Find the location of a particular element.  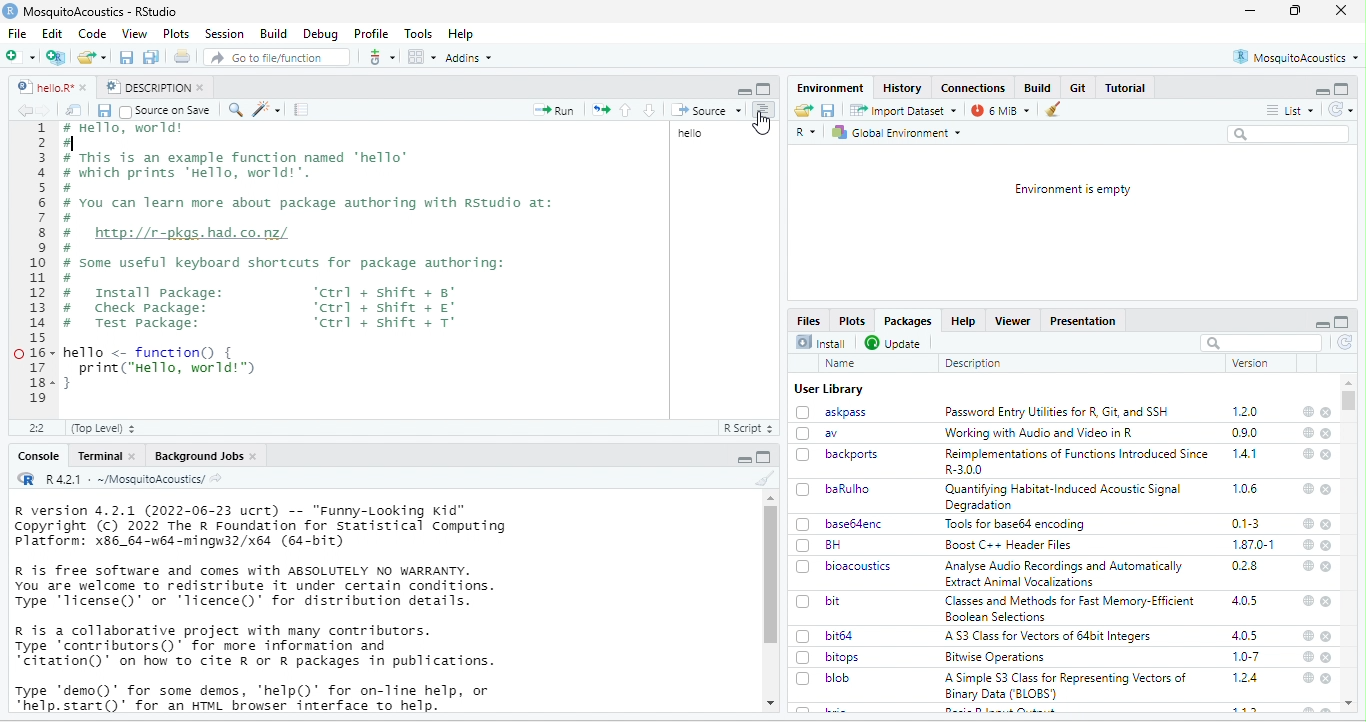

workspace panes is located at coordinates (421, 57).